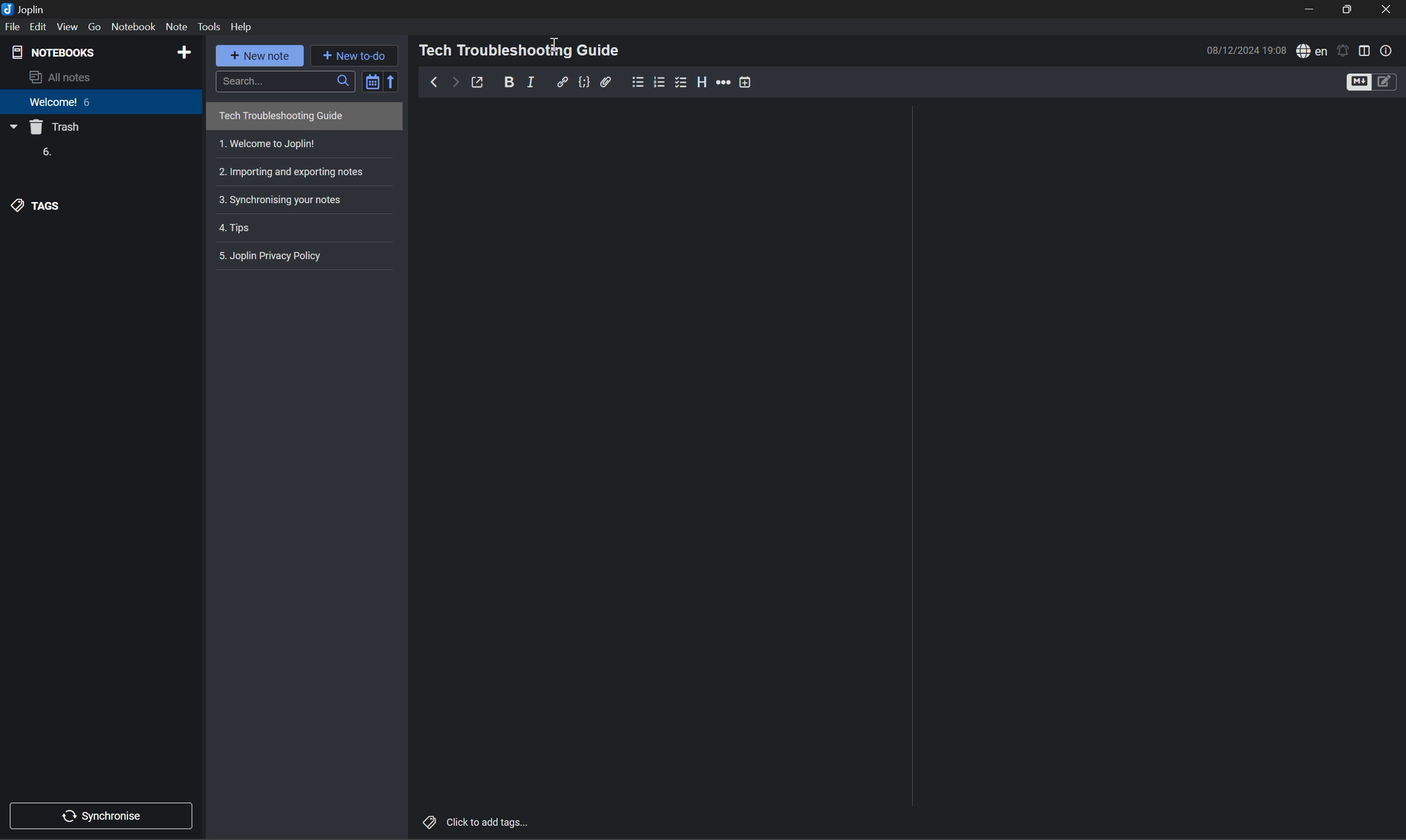  I want to click on Numbered list, so click(660, 82).